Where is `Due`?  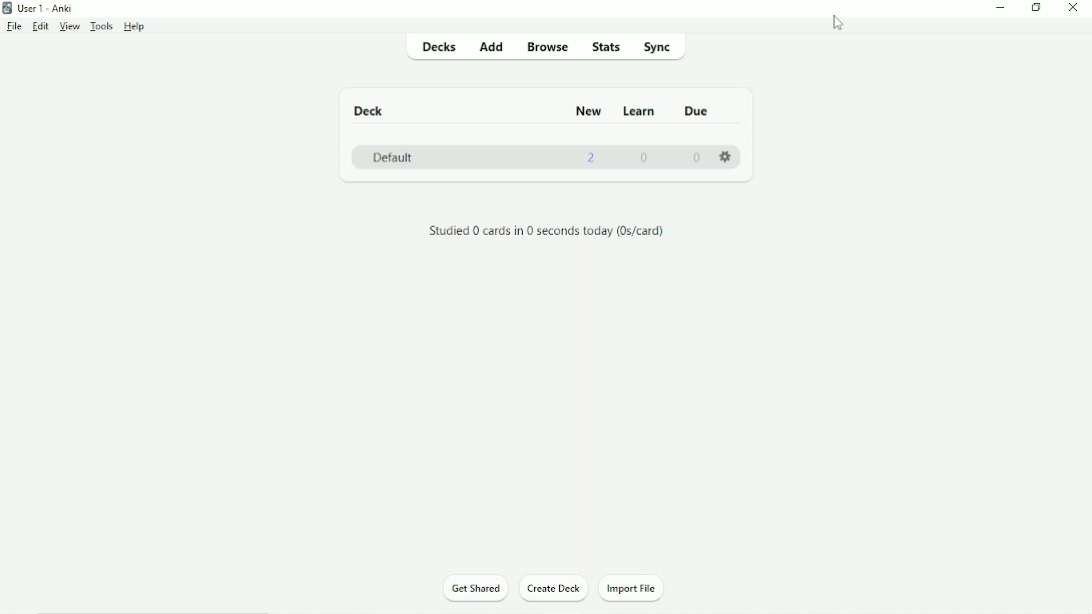
Due is located at coordinates (697, 111).